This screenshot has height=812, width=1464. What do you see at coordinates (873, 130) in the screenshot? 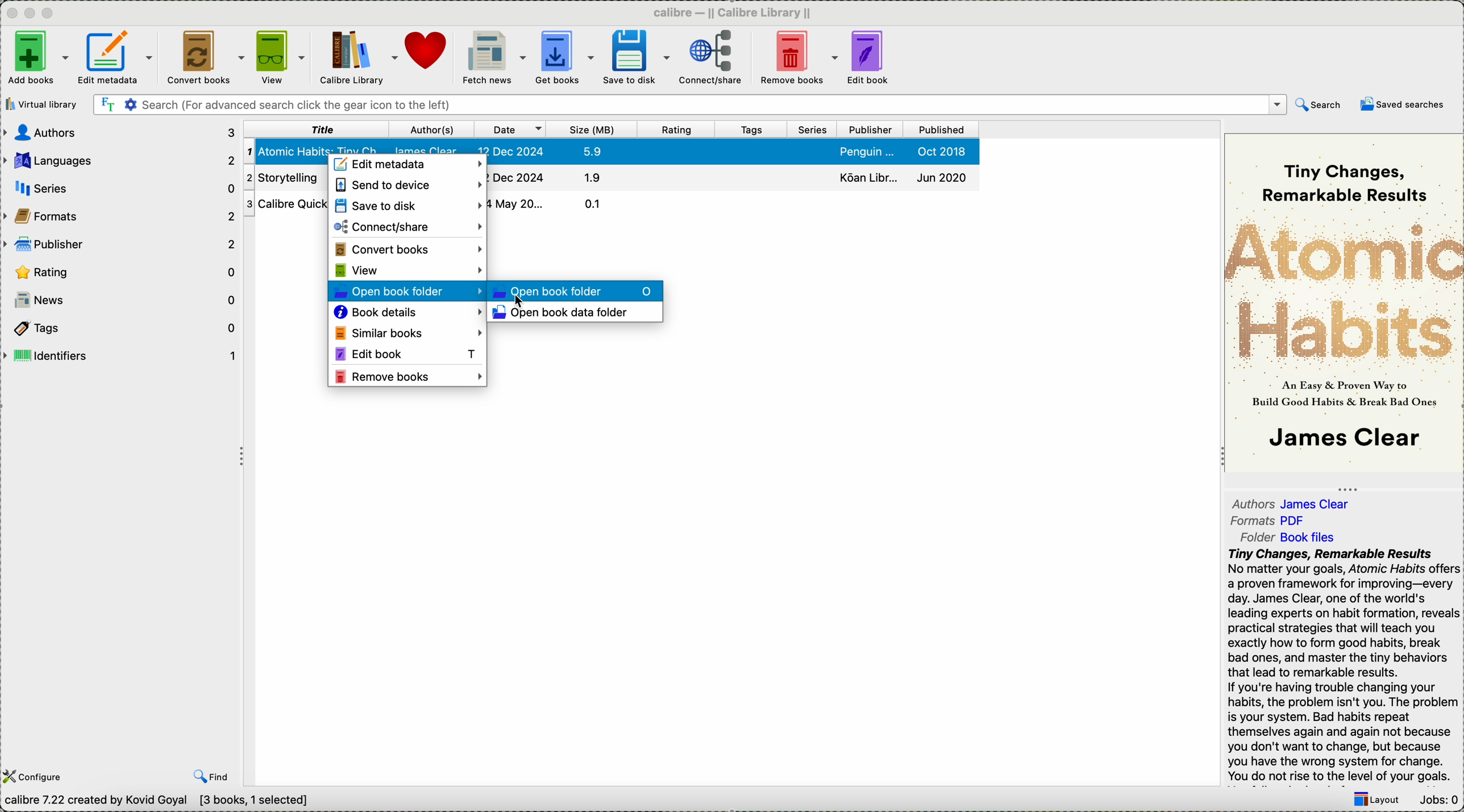
I see `publisher` at bounding box center [873, 130].